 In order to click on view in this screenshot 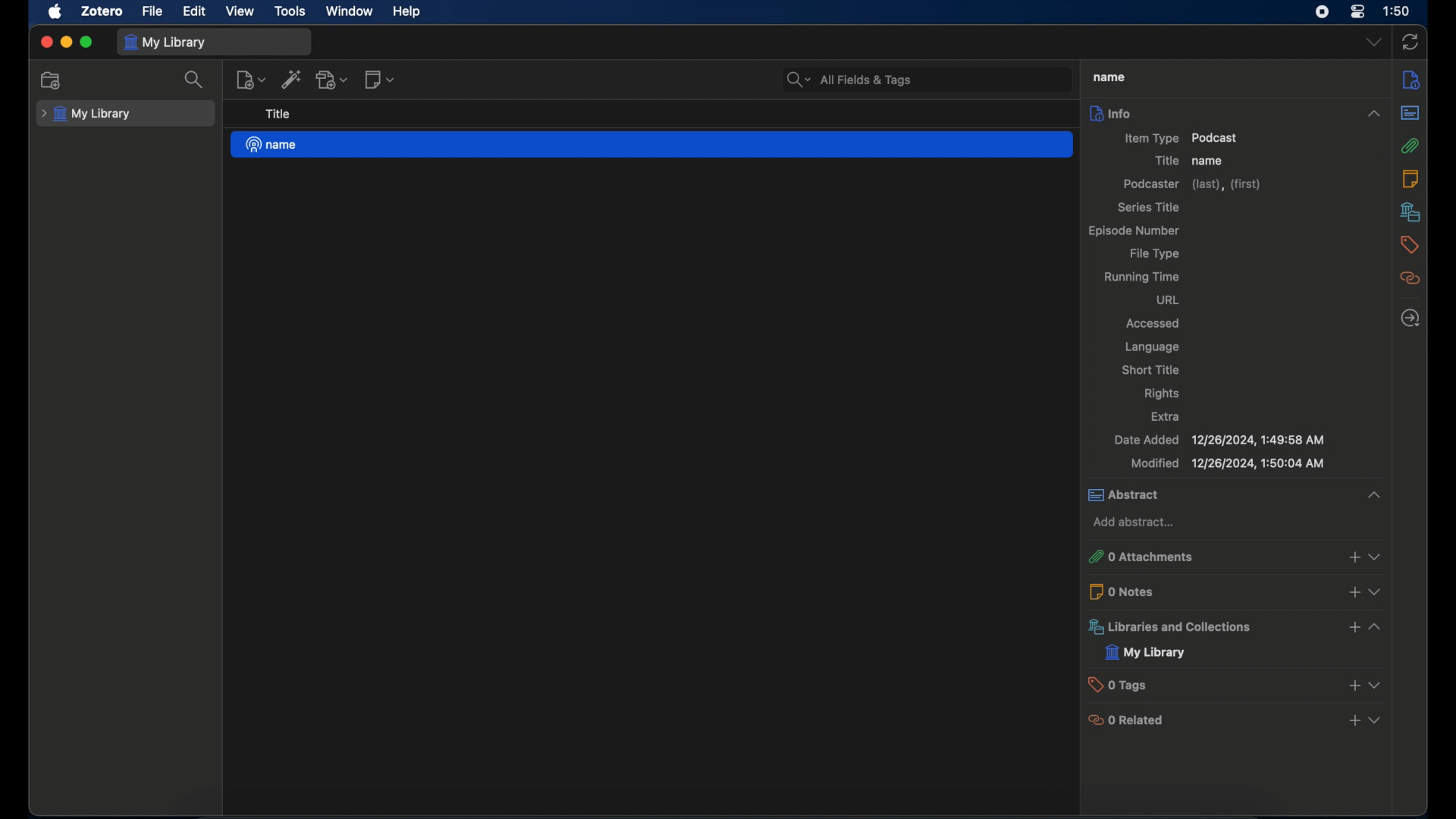, I will do `click(241, 11)`.